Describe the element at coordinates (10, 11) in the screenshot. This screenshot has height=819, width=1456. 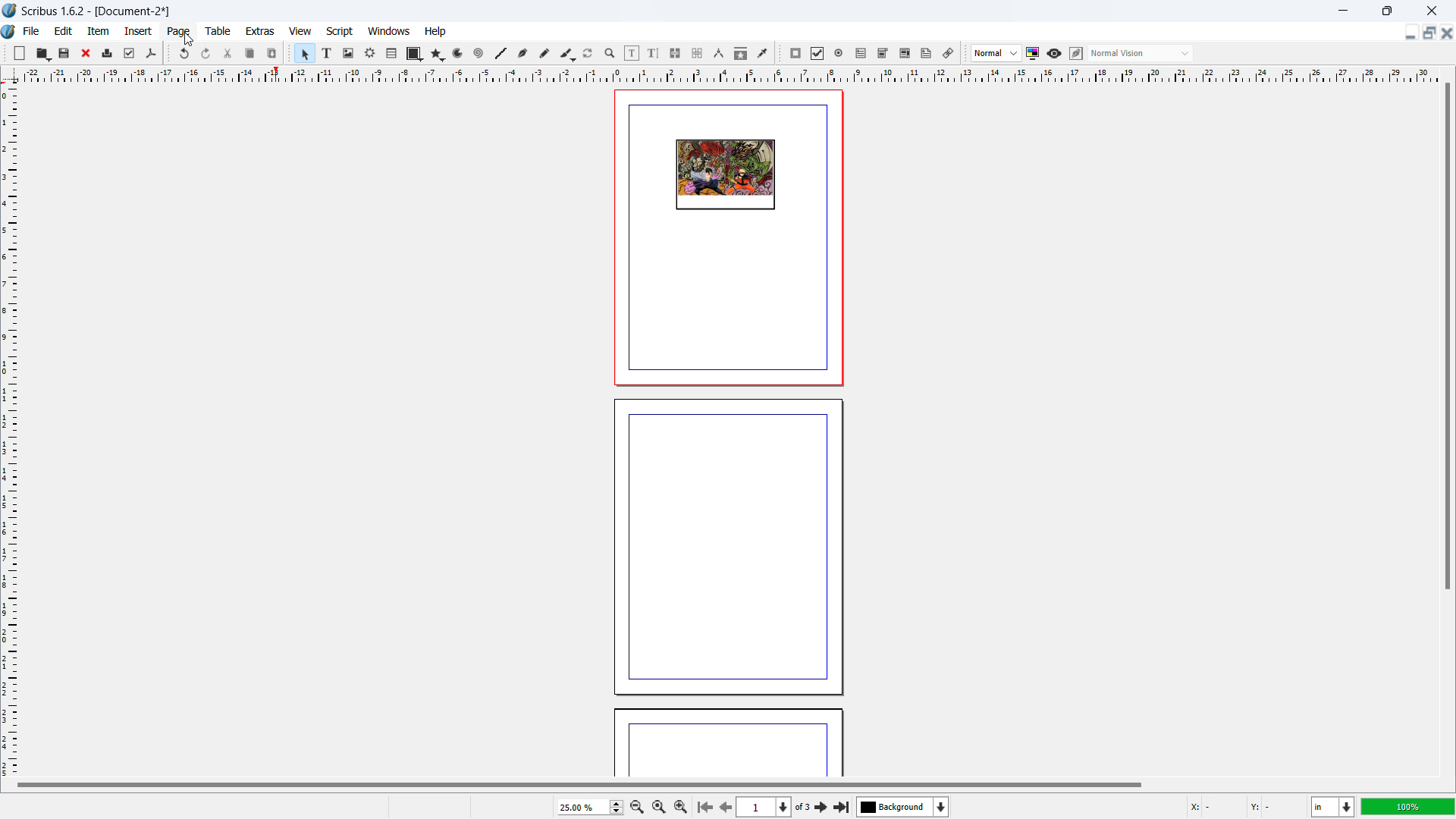
I see `logo` at that location.